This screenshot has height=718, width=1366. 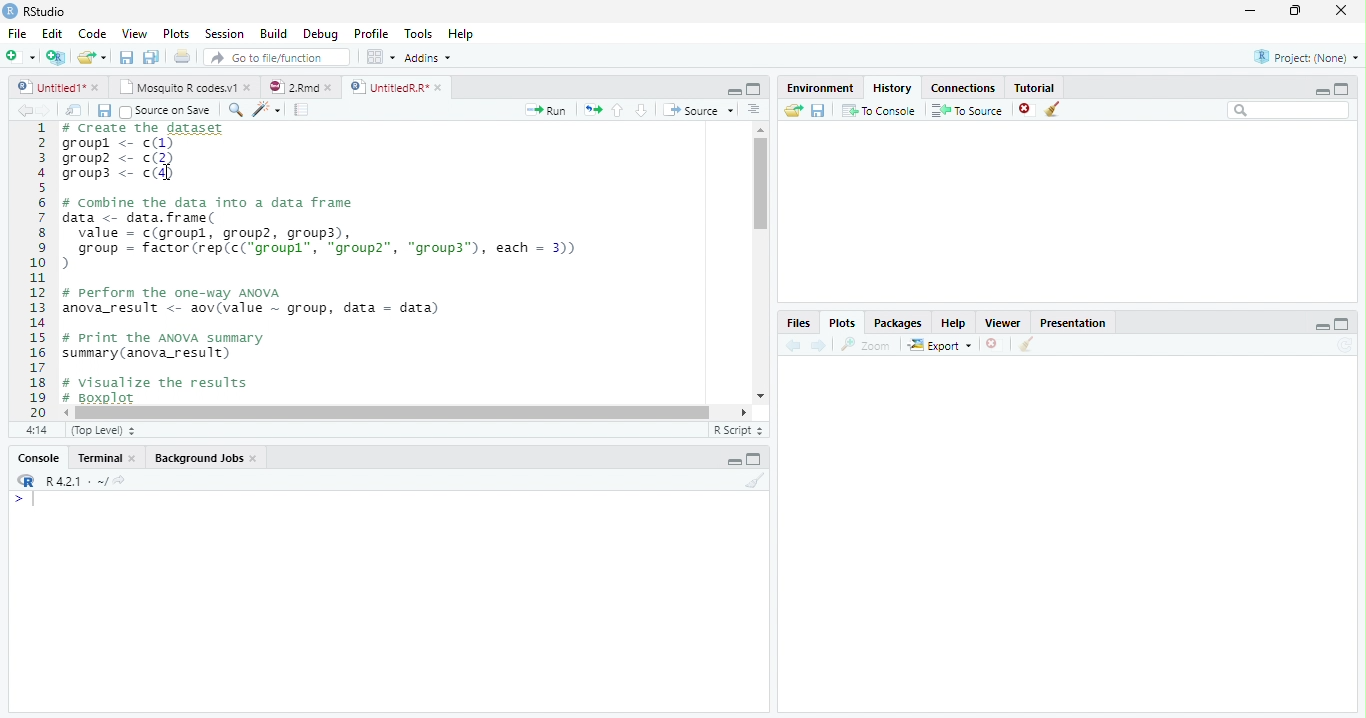 What do you see at coordinates (900, 323) in the screenshot?
I see `Packages` at bounding box center [900, 323].